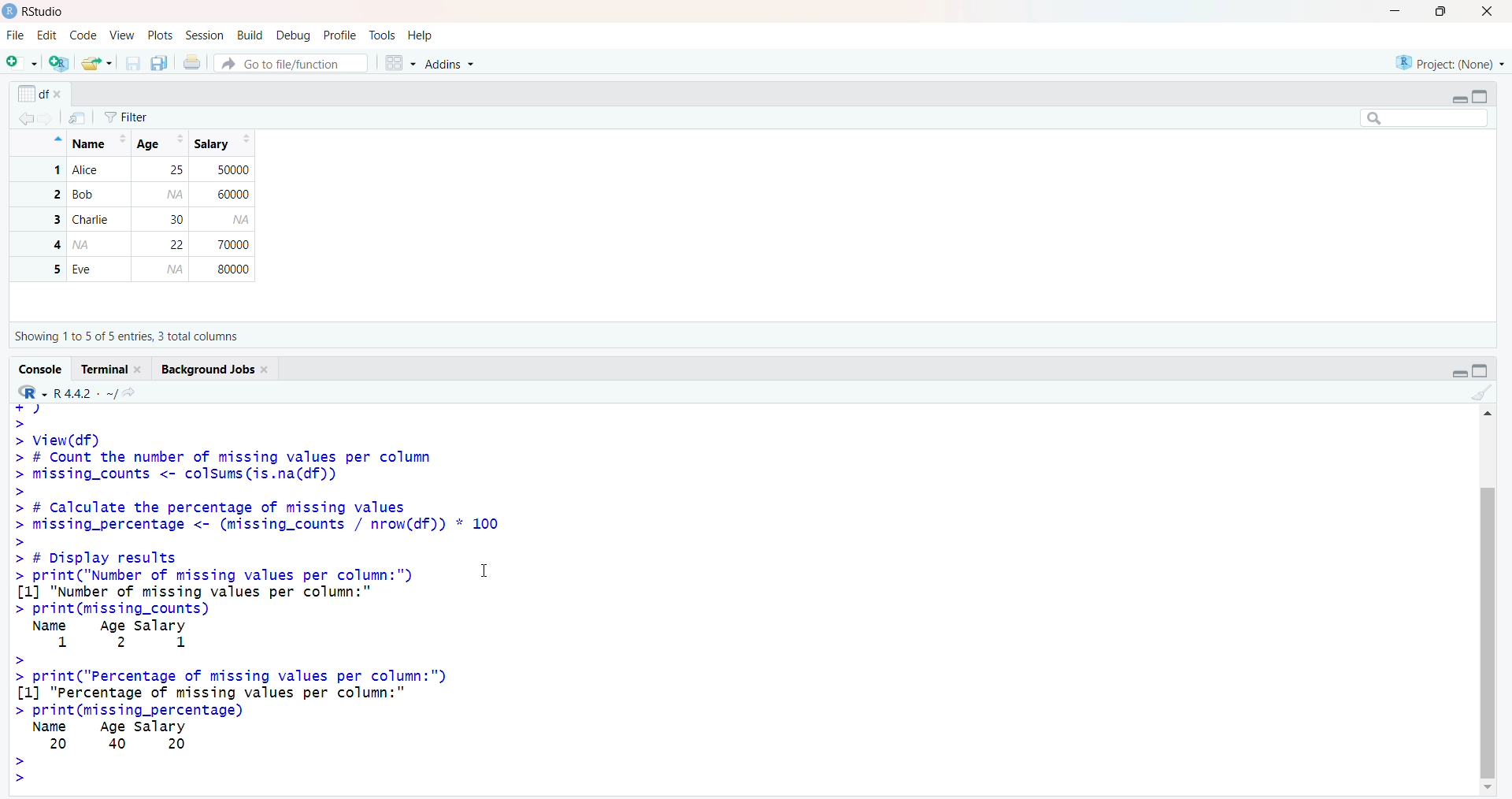 This screenshot has width=1512, height=799. What do you see at coordinates (94, 63) in the screenshot?
I see `Open an existing file (Ctrl + O)` at bounding box center [94, 63].